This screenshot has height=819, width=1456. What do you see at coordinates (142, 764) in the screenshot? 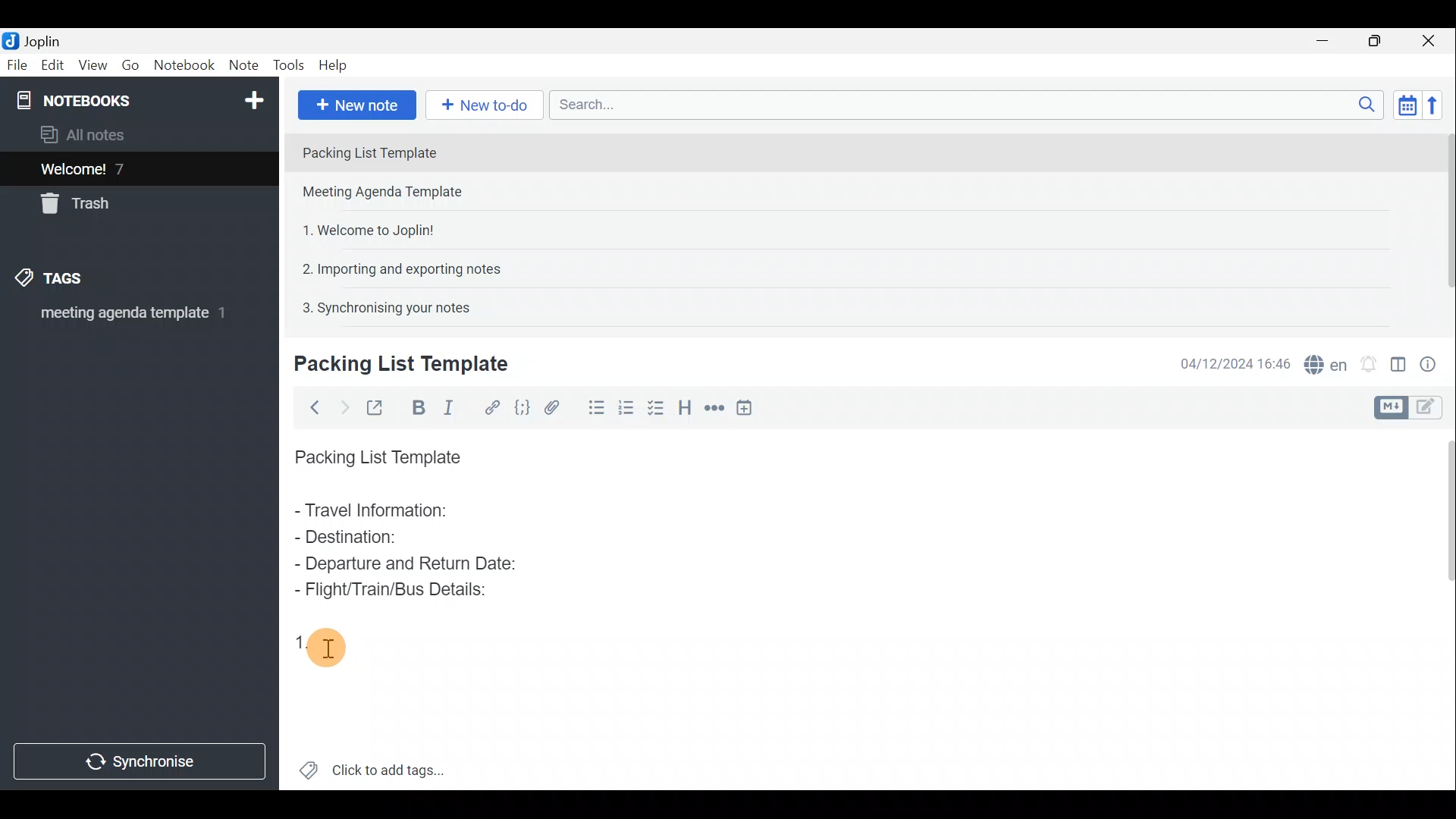
I see `Synchronise` at bounding box center [142, 764].